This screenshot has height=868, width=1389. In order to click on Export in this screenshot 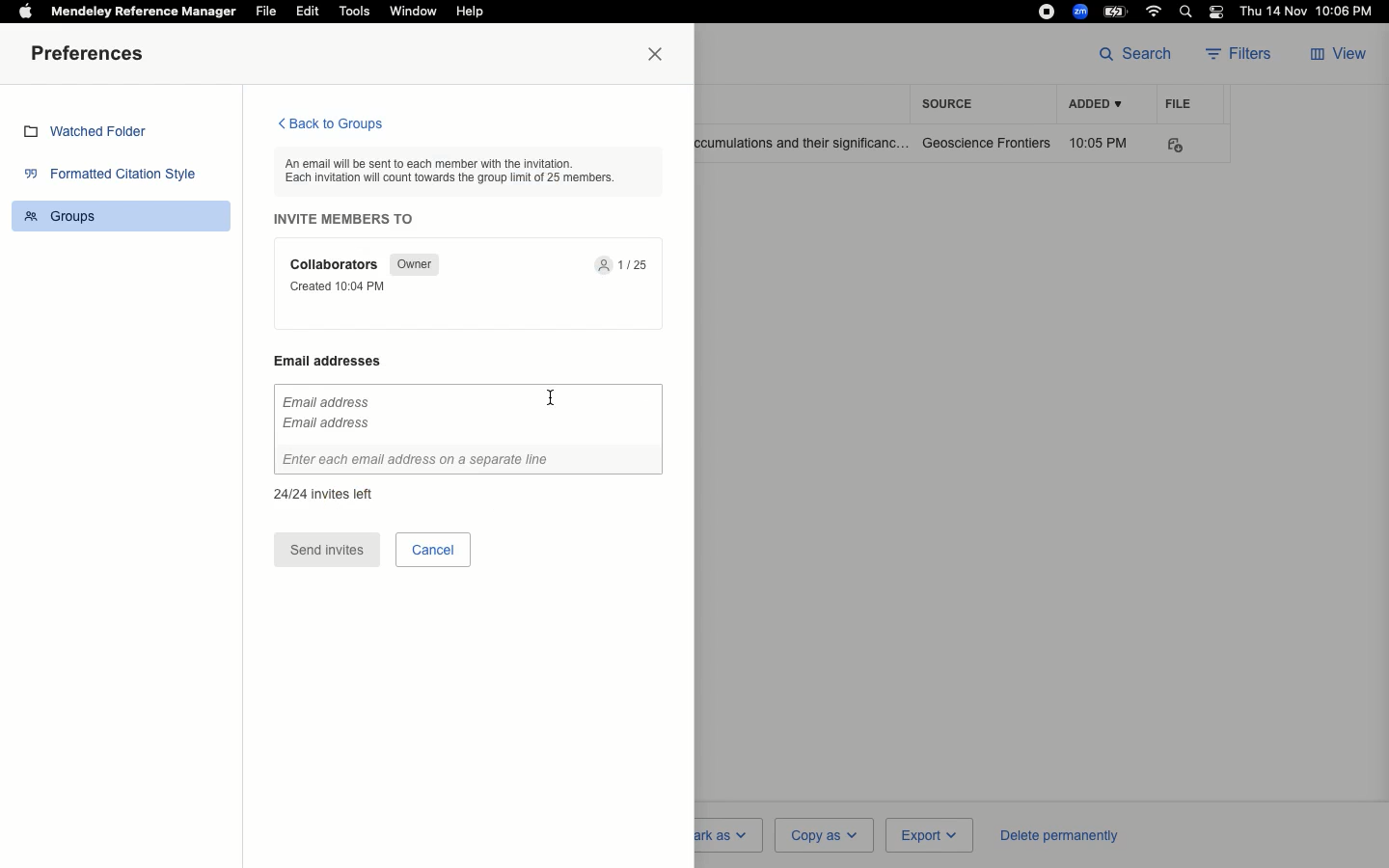, I will do `click(927, 836)`.